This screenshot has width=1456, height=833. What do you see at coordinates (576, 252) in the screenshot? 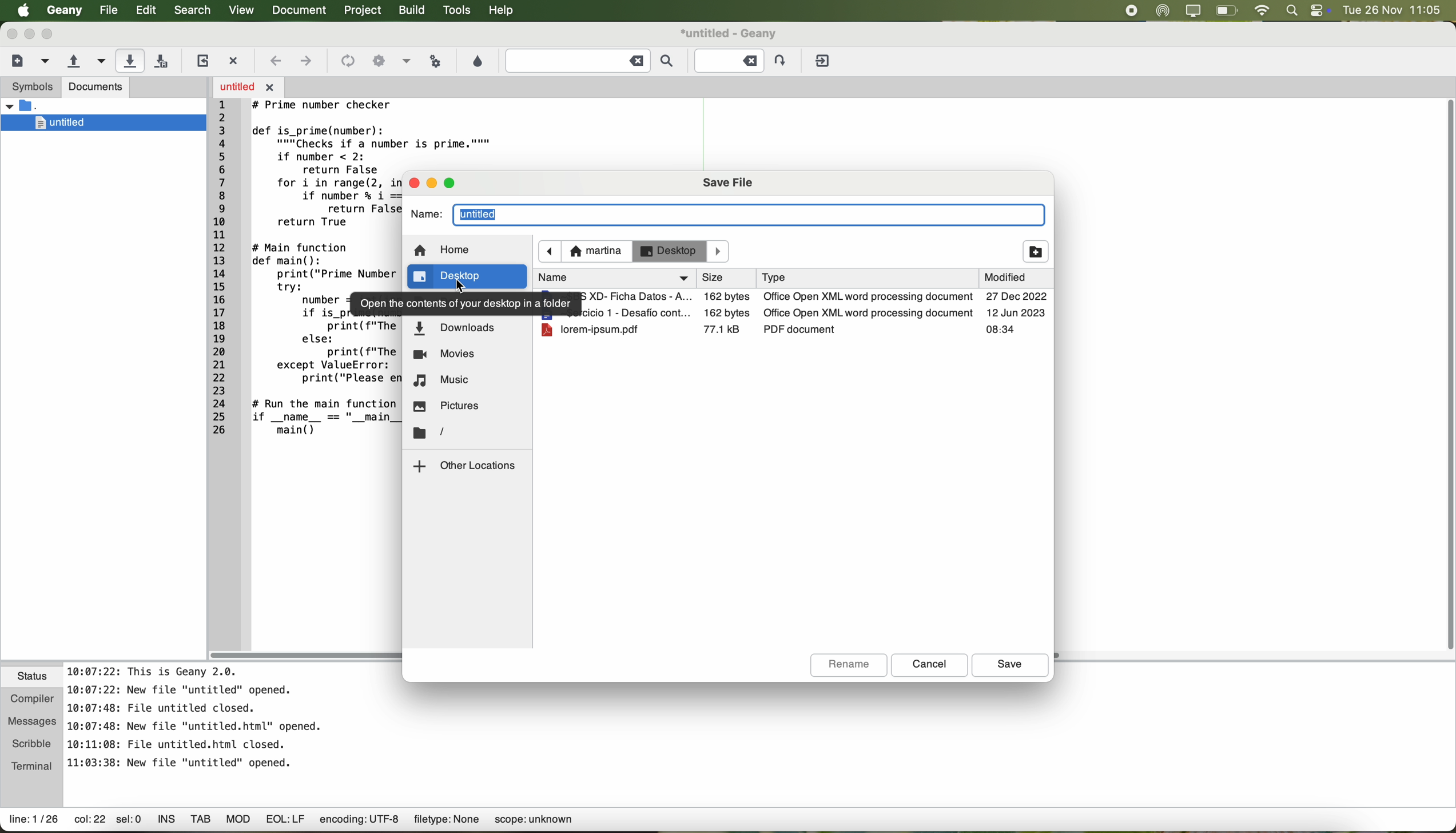
I see `icon` at bounding box center [576, 252].